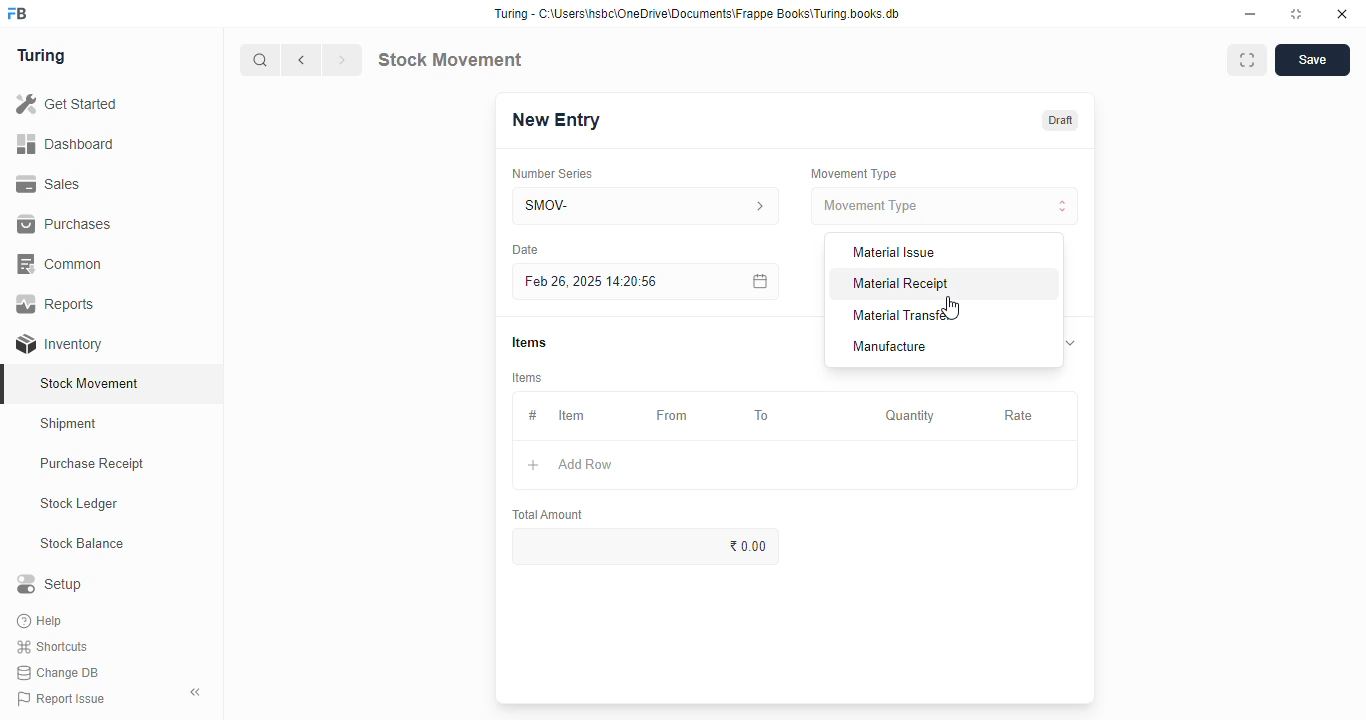  I want to click on change DB, so click(58, 673).